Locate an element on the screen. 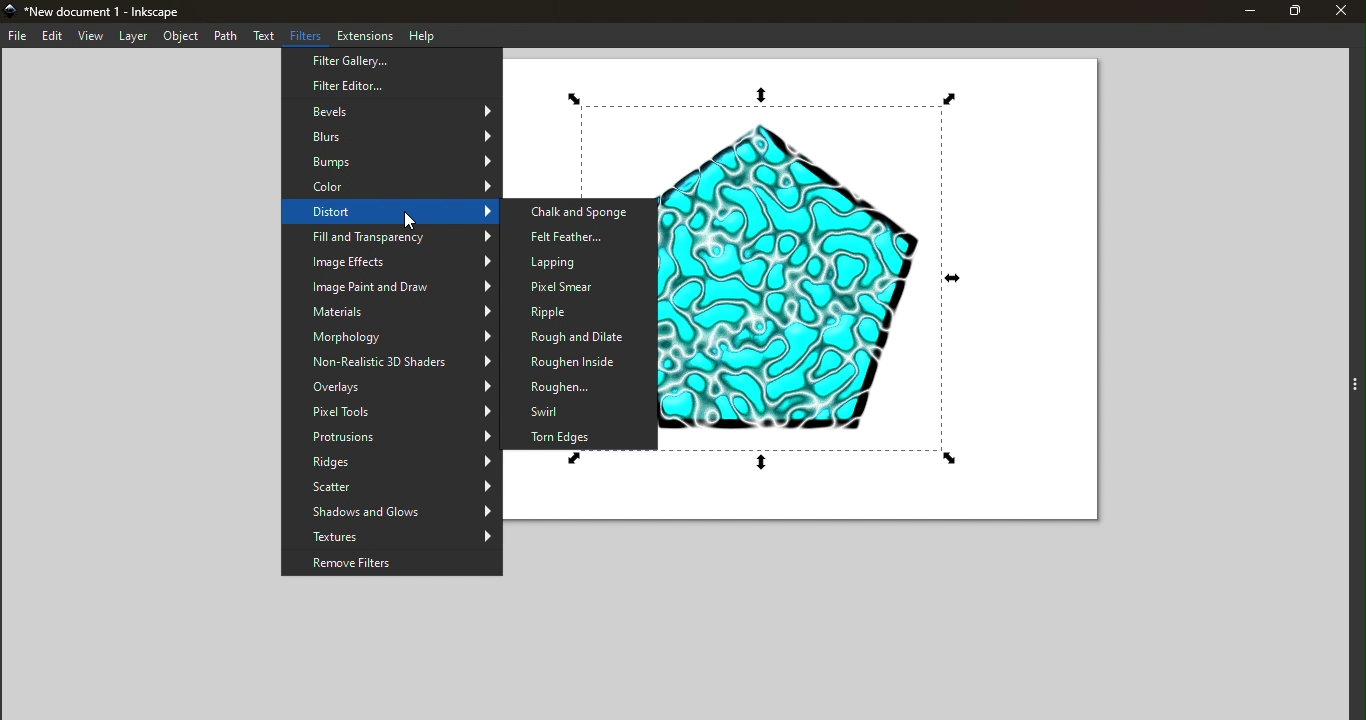 The width and height of the screenshot is (1366, 720). Felt Feather is located at coordinates (579, 237).